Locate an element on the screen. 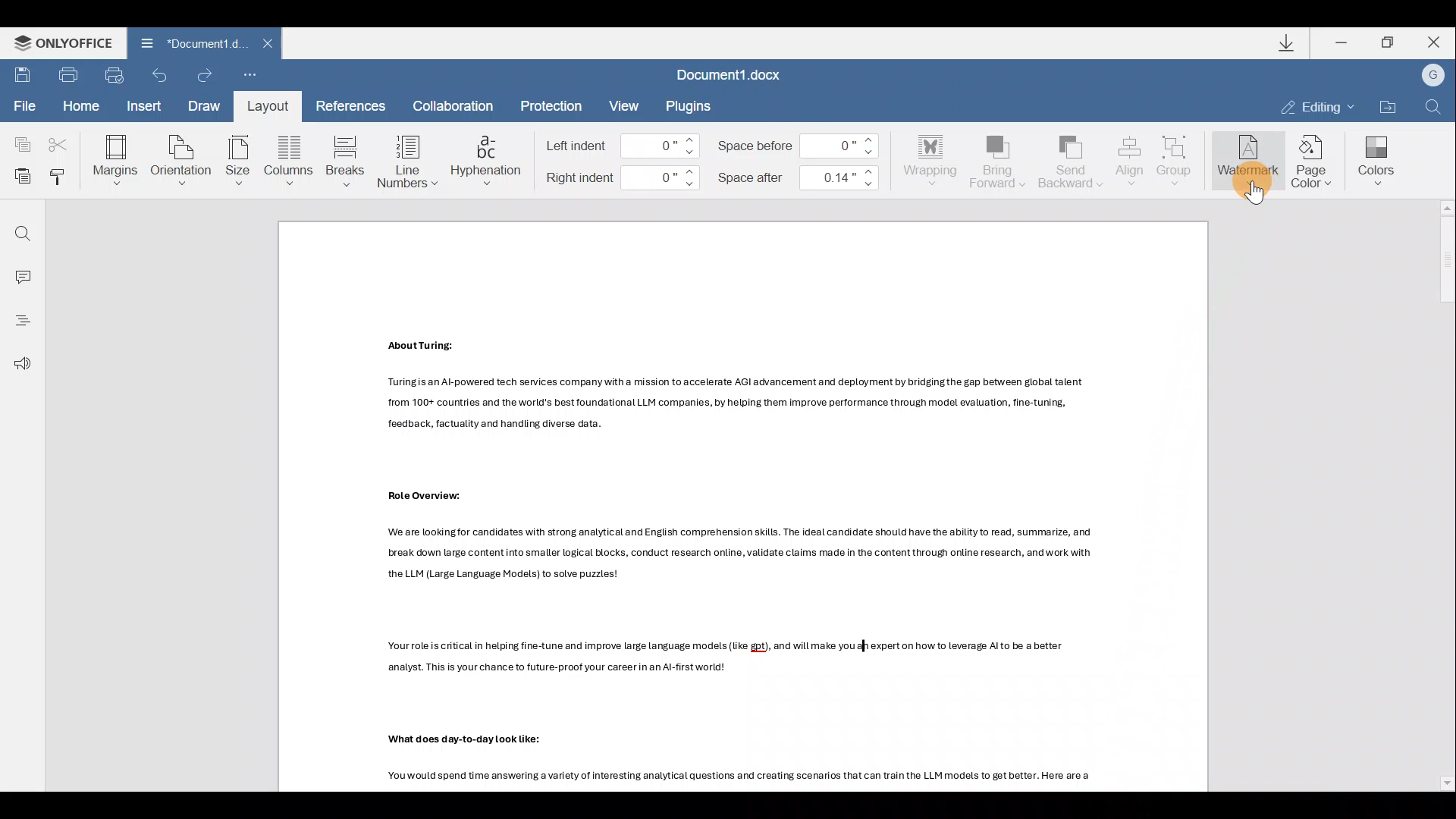   is located at coordinates (739, 554).